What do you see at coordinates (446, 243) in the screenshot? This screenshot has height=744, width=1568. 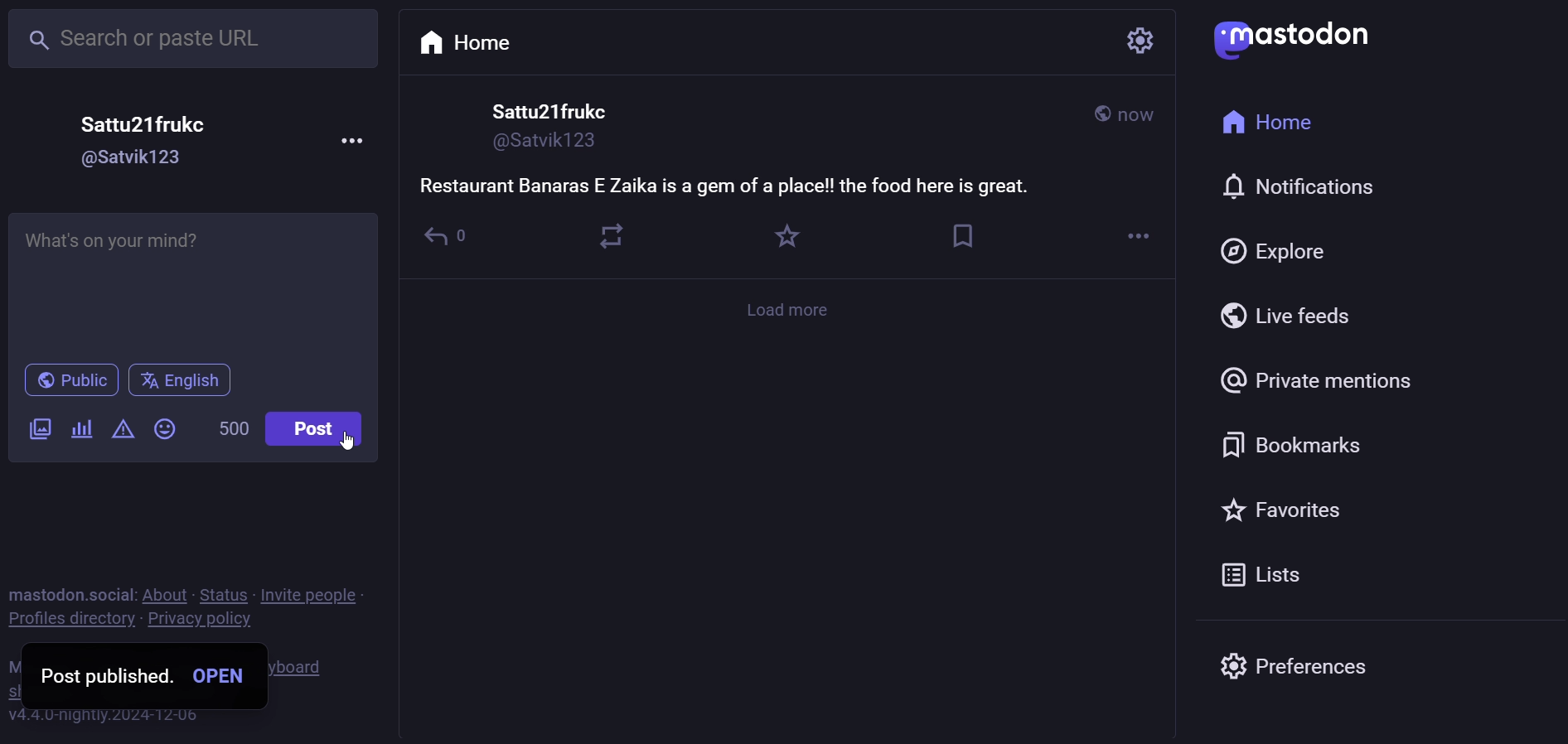 I see `reply` at bounding box center [446, 243].